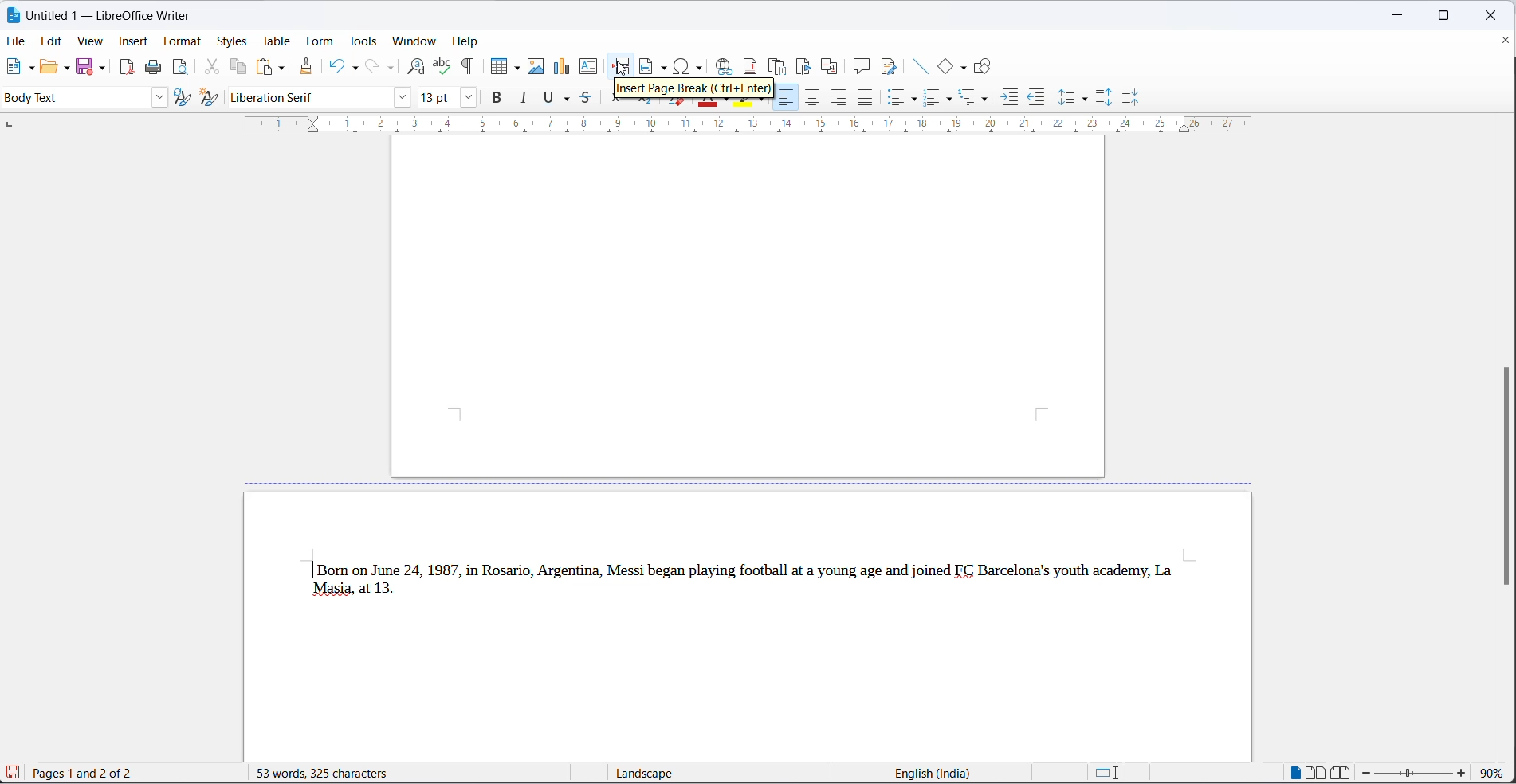  What do you see at coordinates (1087, 97) in the screenshot?
I see `line spacing options` at bounding box center [1087, 97].